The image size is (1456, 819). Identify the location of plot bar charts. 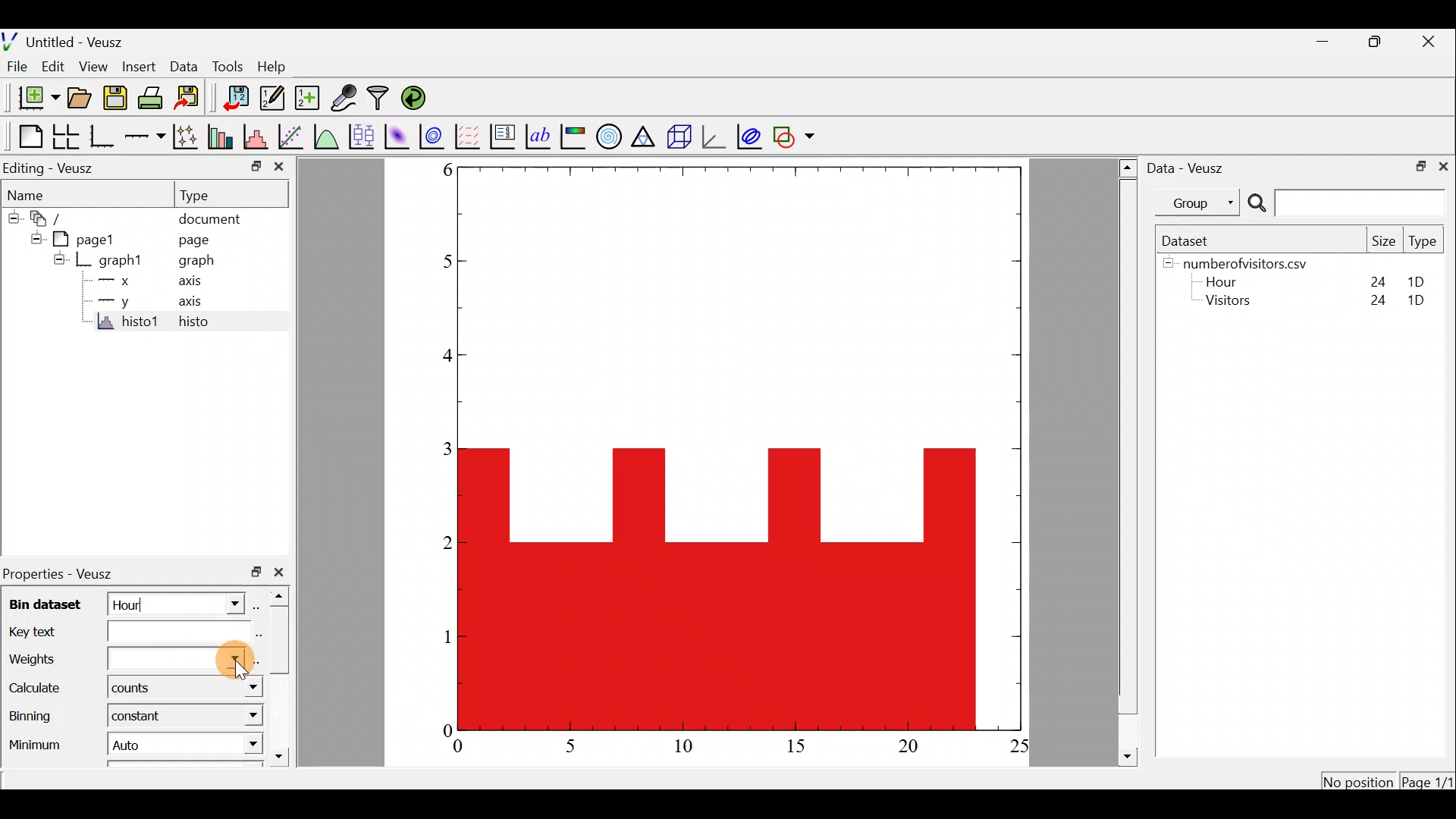
(220, 135).